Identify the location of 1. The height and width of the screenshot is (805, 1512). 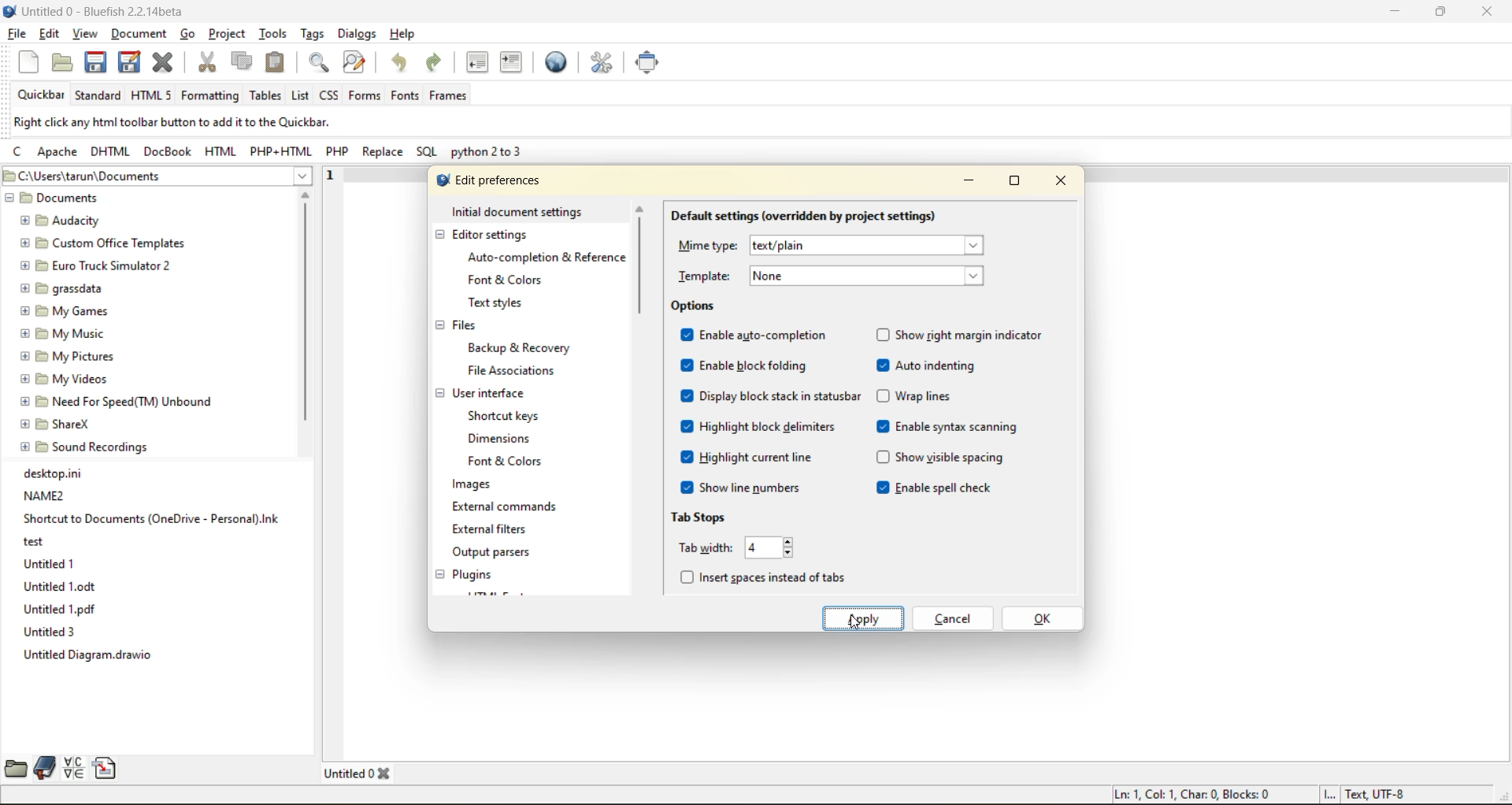
(326, 172).